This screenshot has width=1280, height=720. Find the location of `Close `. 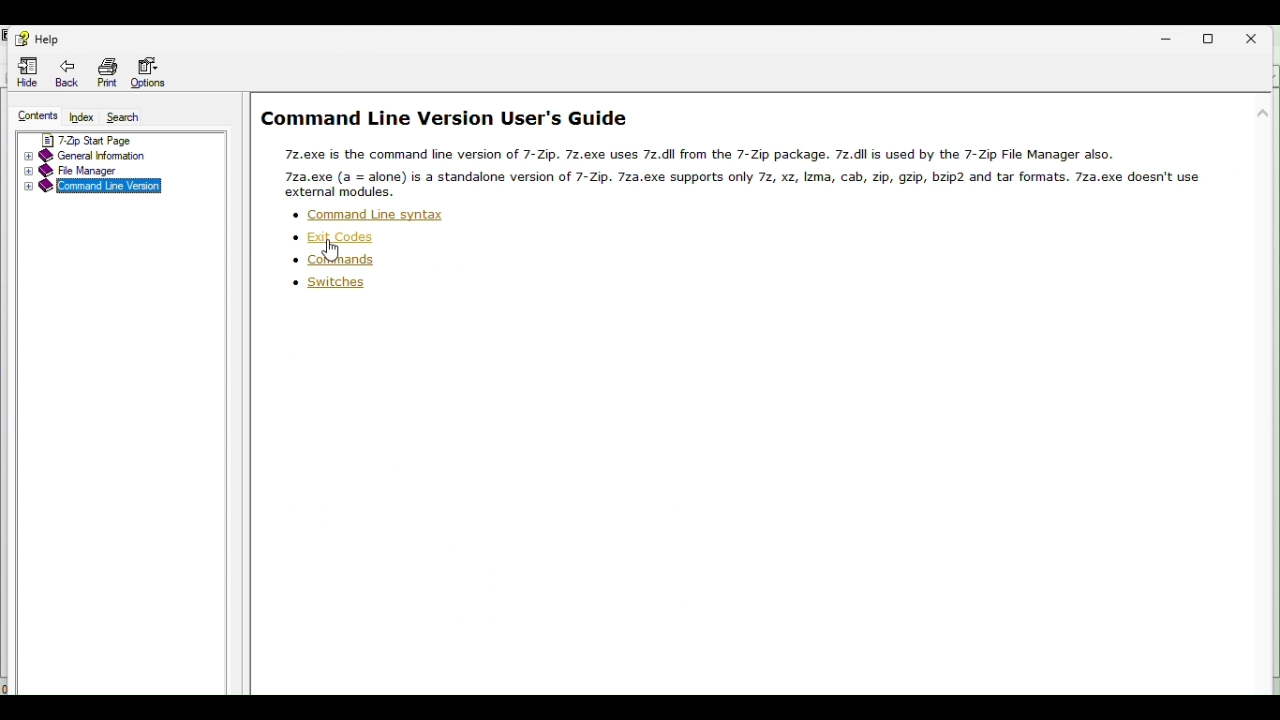

Close  is located at coordinates (1259, 34).